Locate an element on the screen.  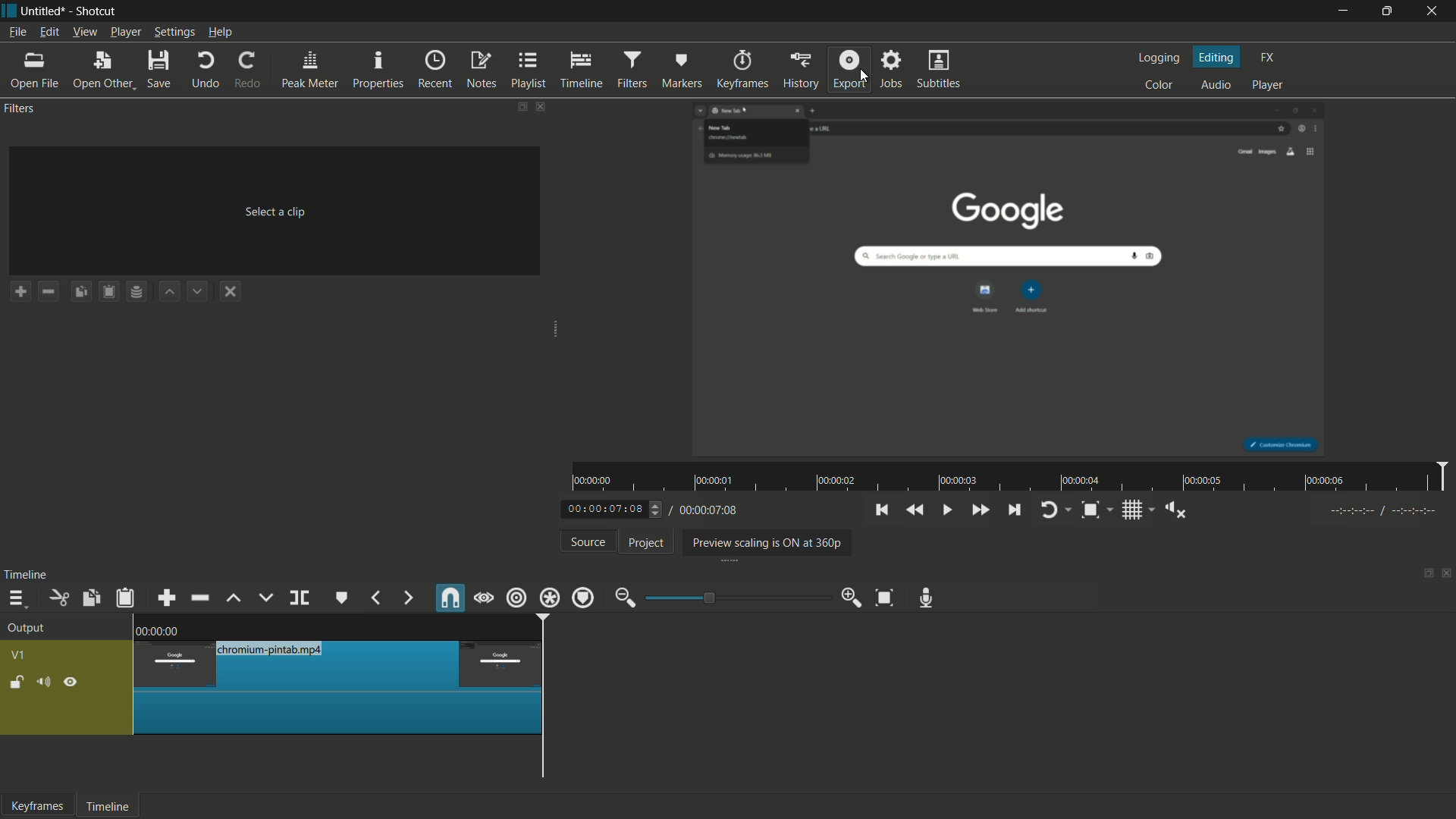
undo is located at coordinates (206, 71).